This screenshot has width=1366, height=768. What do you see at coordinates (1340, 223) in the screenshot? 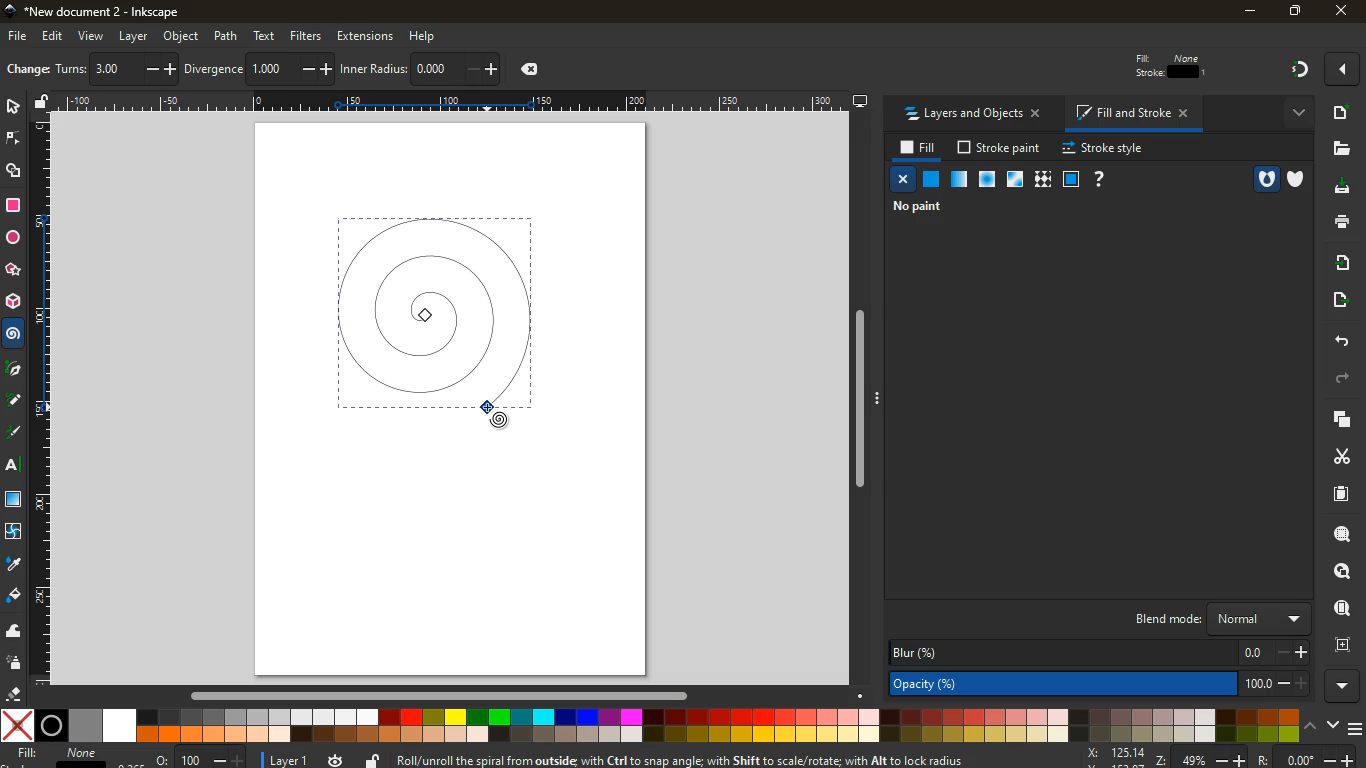
I see `print` at bounding box center [1340, 223].